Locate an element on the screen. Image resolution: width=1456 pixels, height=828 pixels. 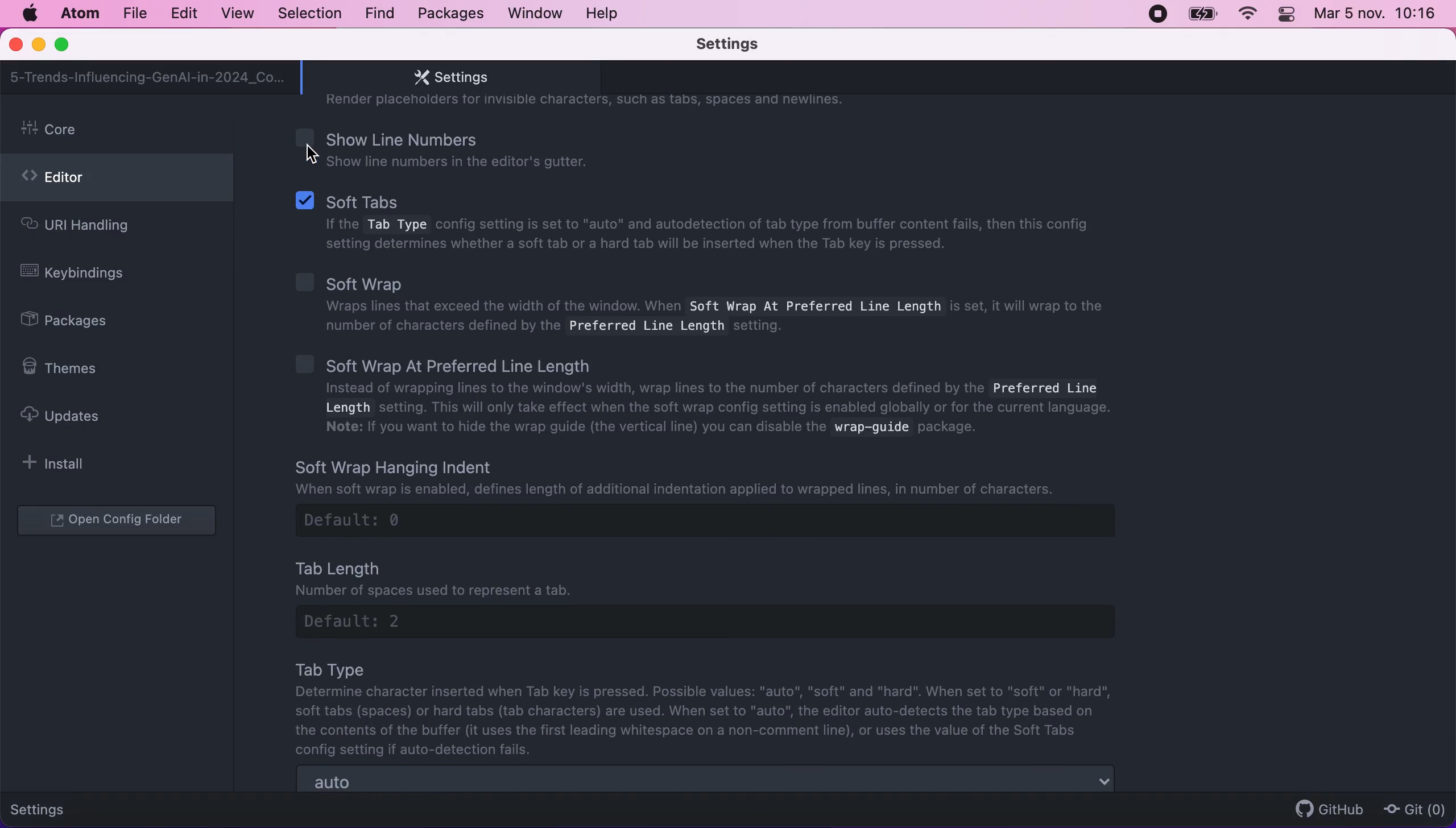
tab is located at coordinates (148, 77).